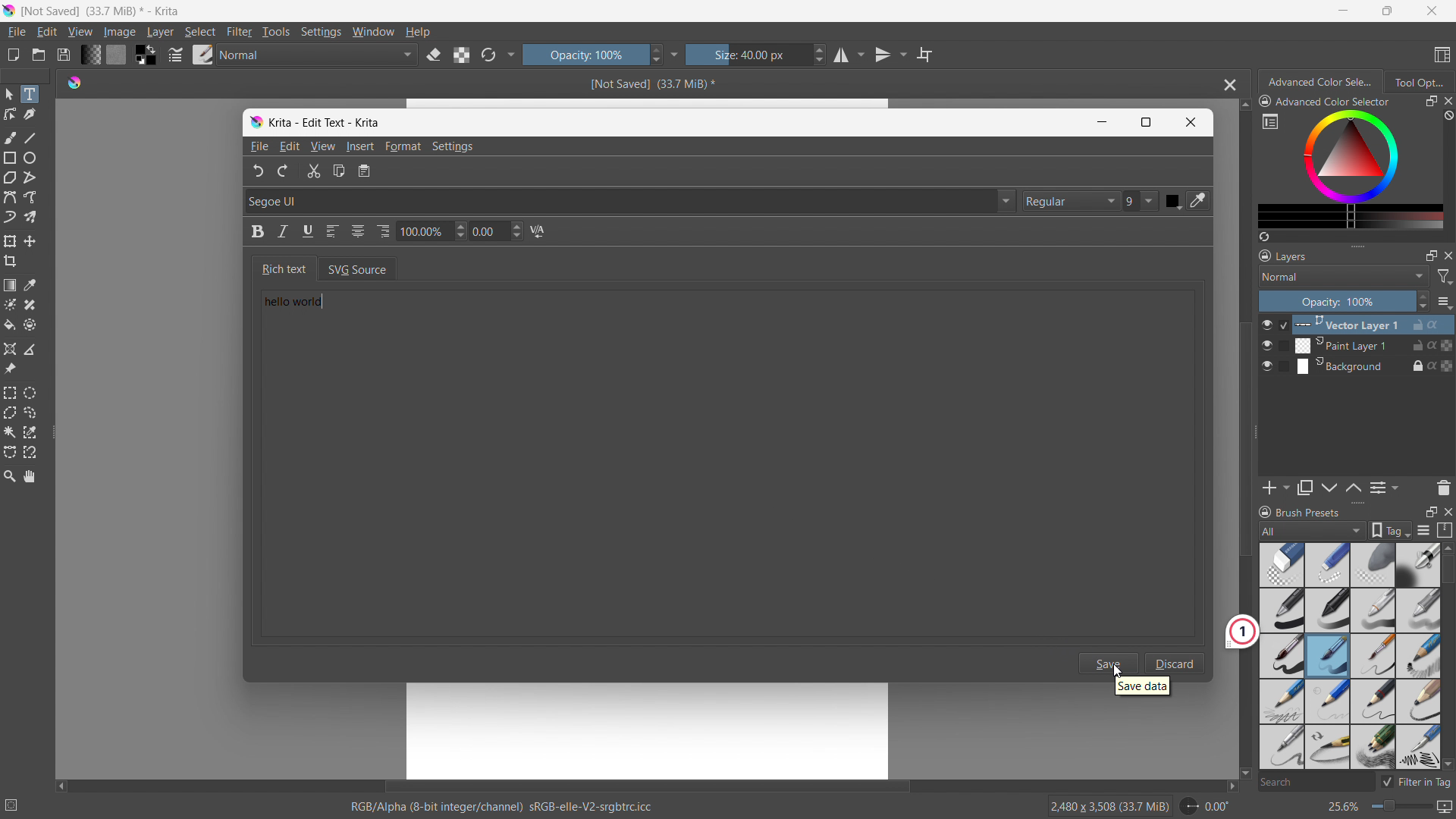 This screenshot has width=1456, height=819. I want to click on opacity control, so click(1344, 301).